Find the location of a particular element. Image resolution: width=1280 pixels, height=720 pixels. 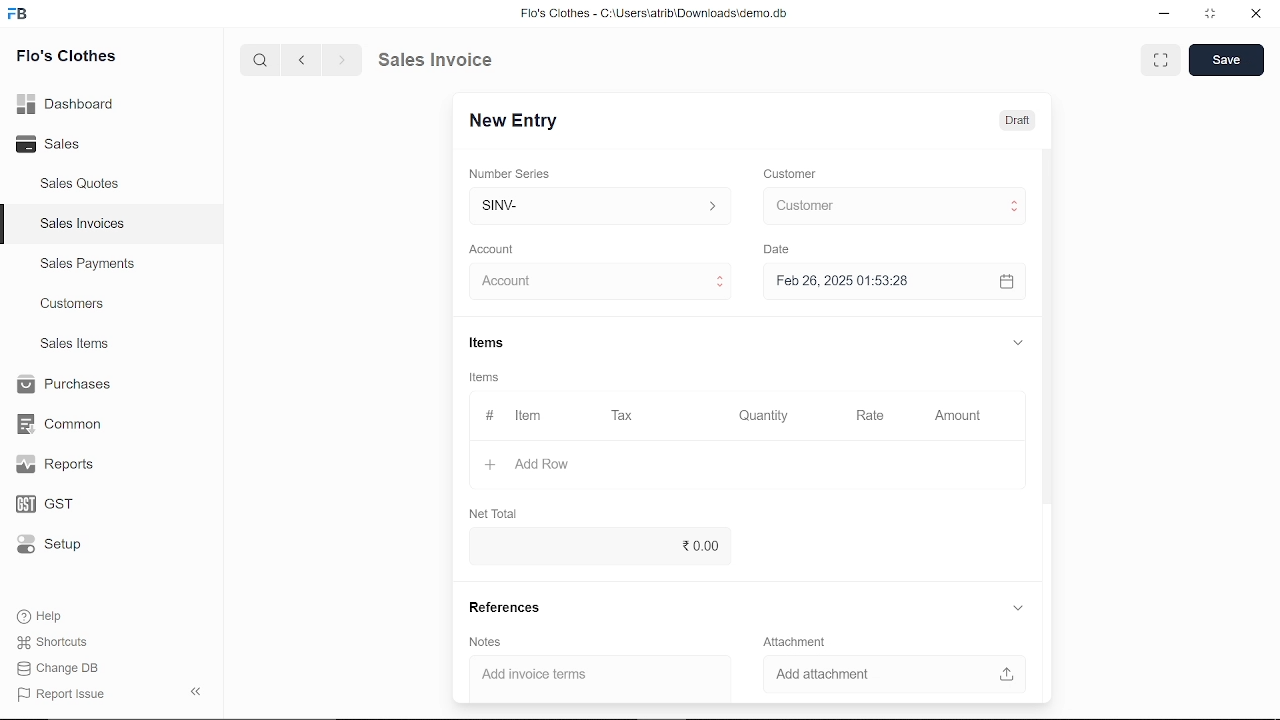

Date is located at coordinates (776, 250).